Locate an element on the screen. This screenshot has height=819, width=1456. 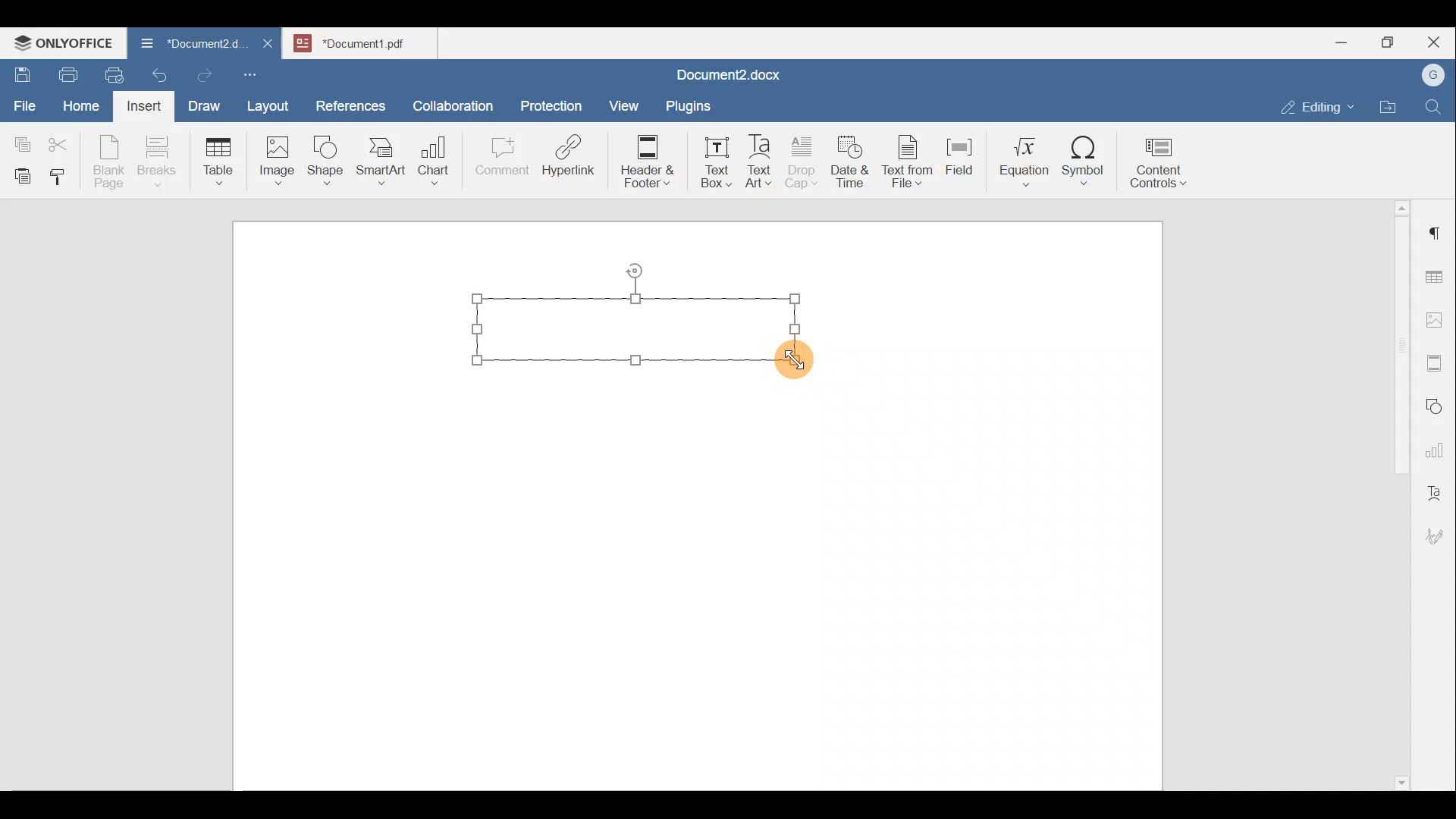
Save is located at coordinates (21, 71).